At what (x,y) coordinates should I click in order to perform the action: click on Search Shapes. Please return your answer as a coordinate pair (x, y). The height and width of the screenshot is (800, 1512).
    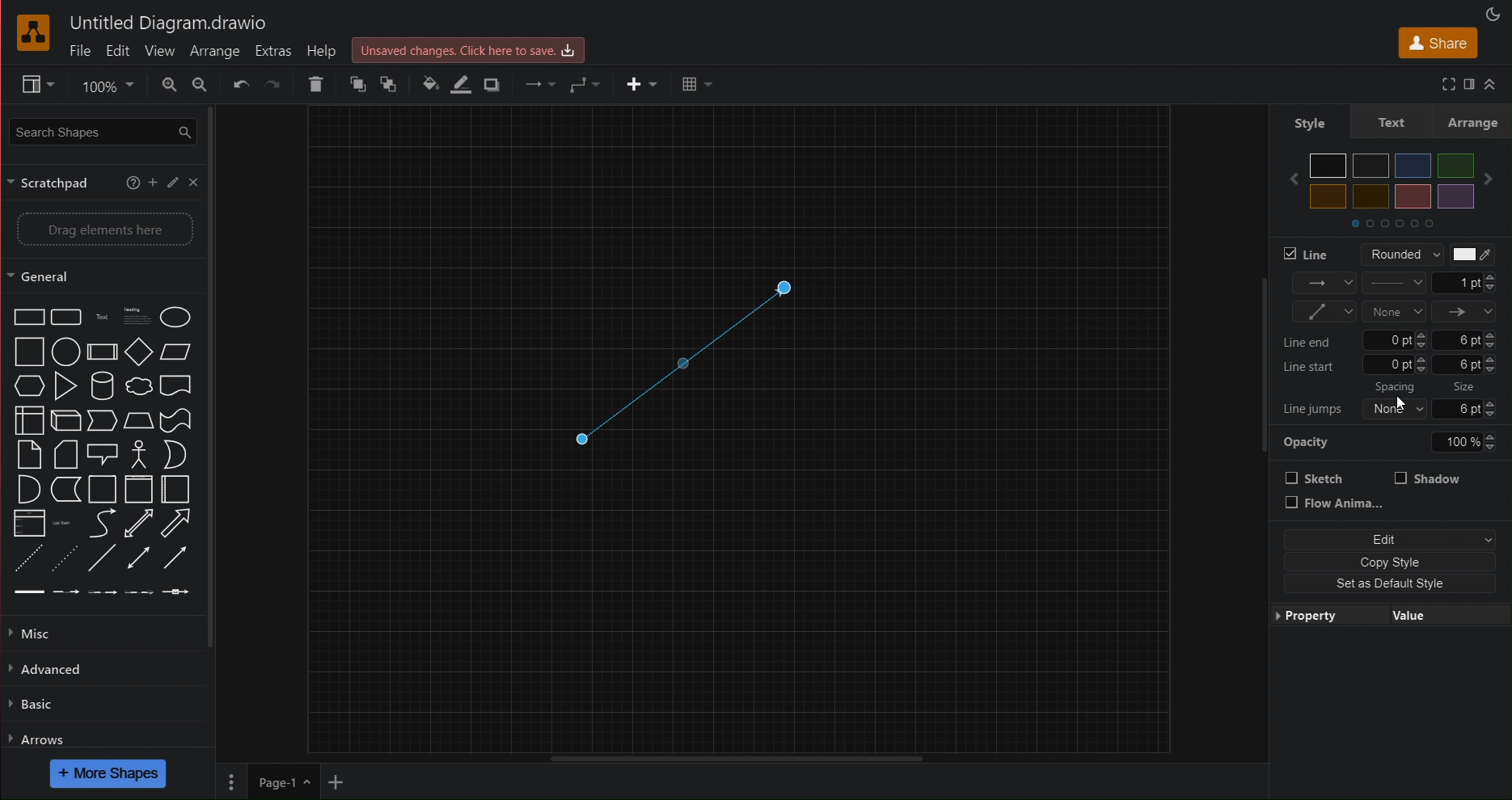
    Looking at the image, I should click on (99, 130).